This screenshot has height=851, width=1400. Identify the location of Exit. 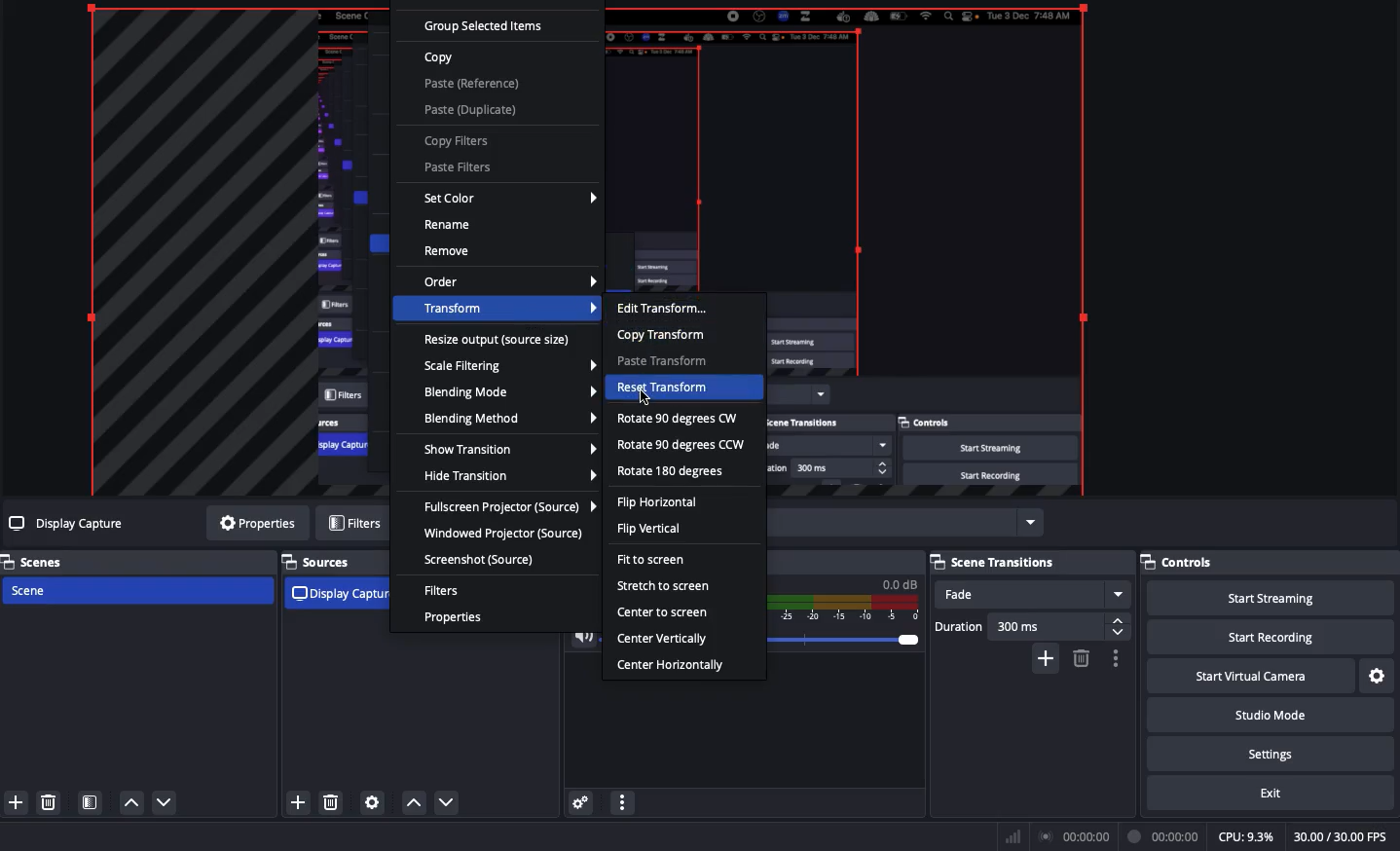
(1267, 794).